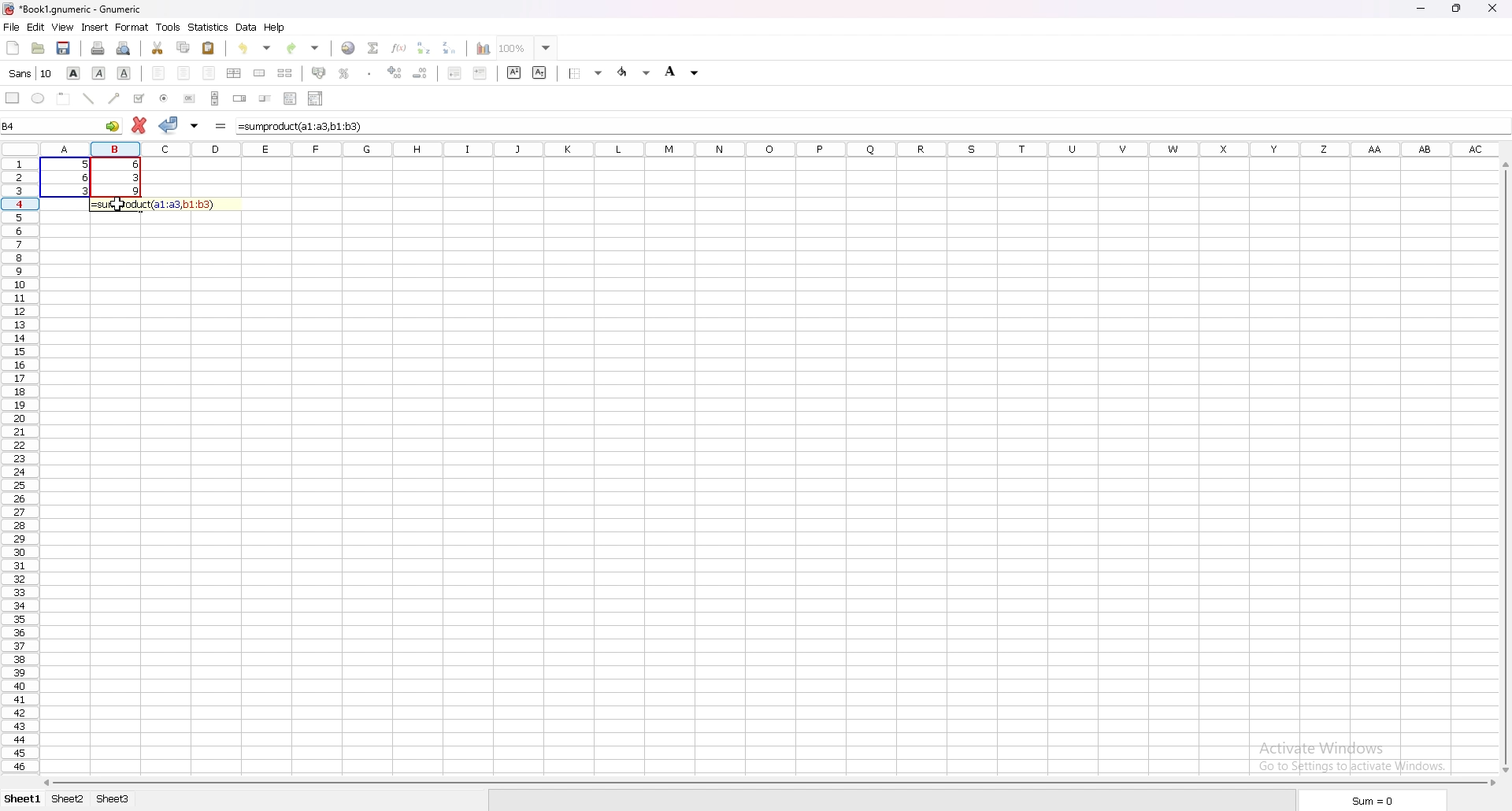  Describe the element at coordinates (765, 149) in the screenshot. I see `column` at that location.